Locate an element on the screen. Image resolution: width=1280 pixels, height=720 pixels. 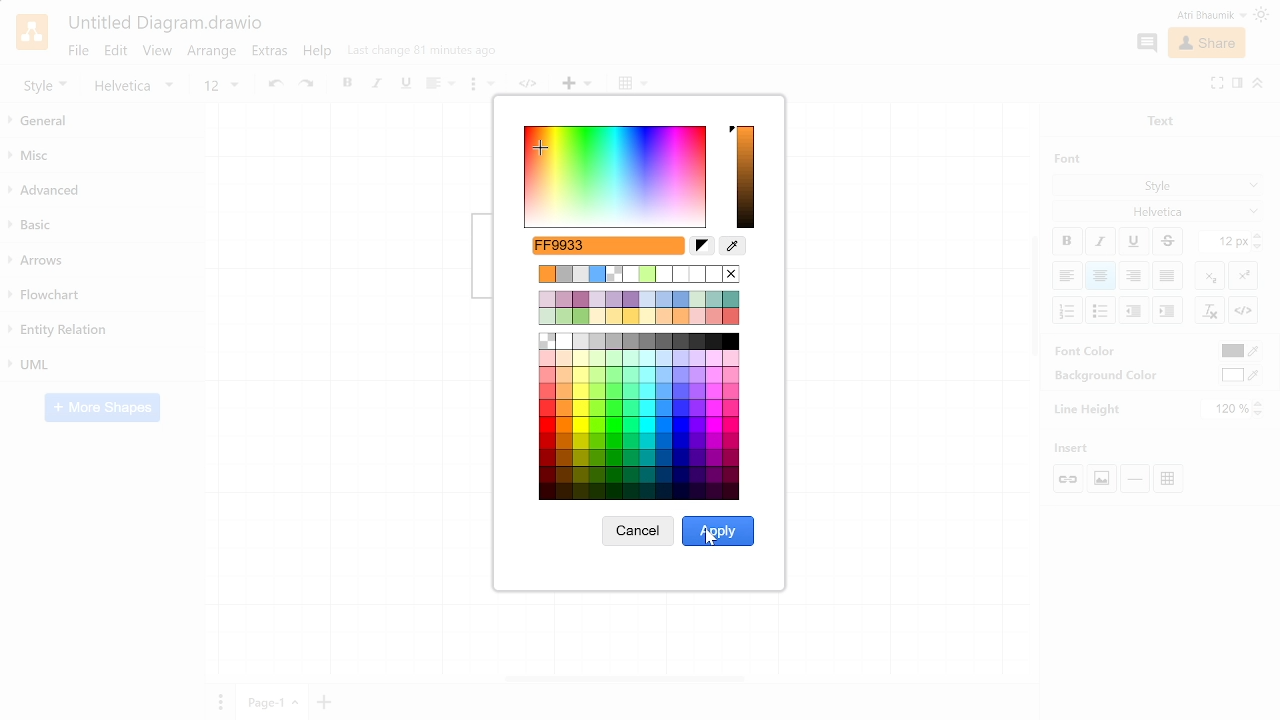
Arrows is located at coordinates (103, 261).